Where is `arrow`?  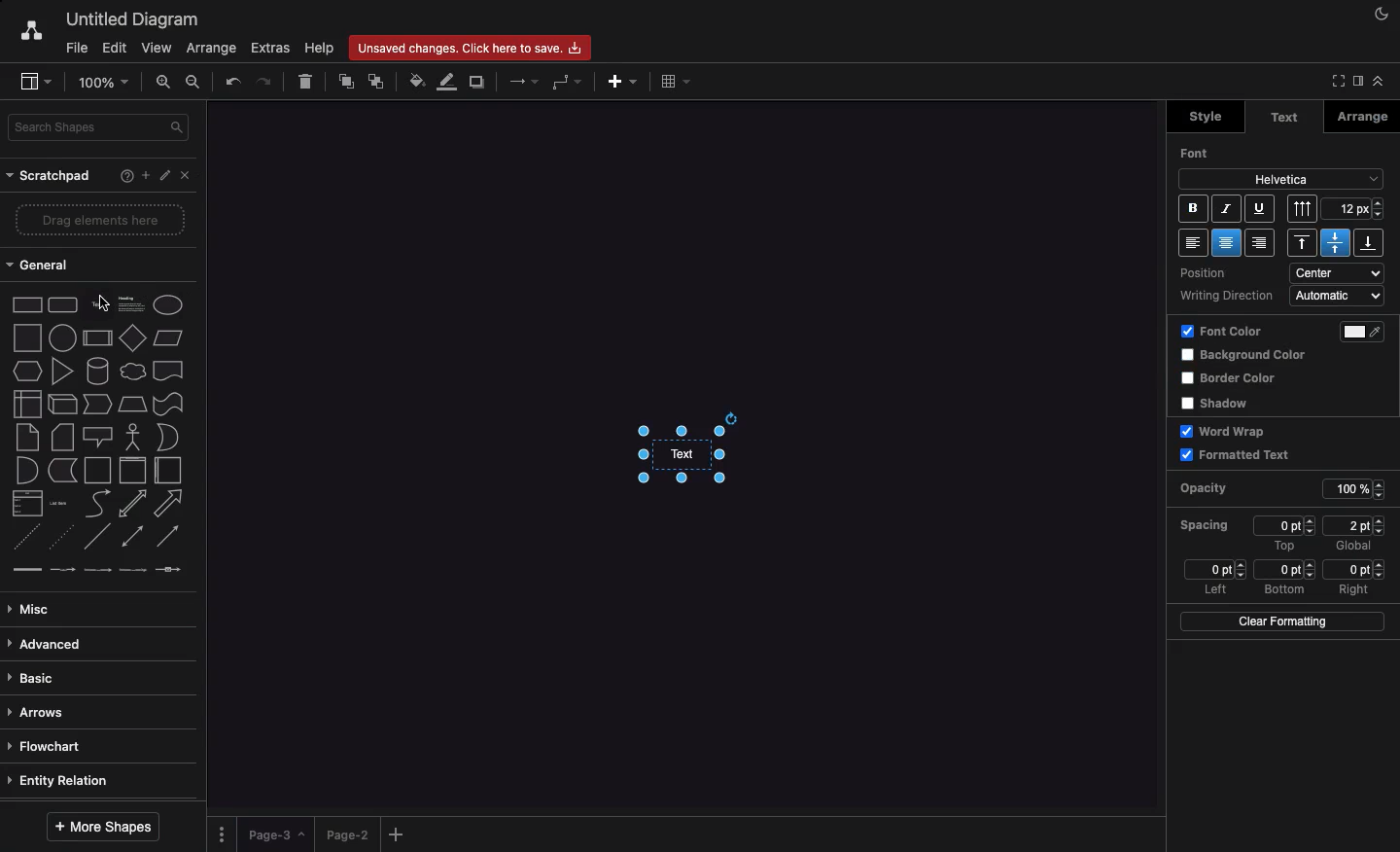
arrow is located at coordinates (169, 504).